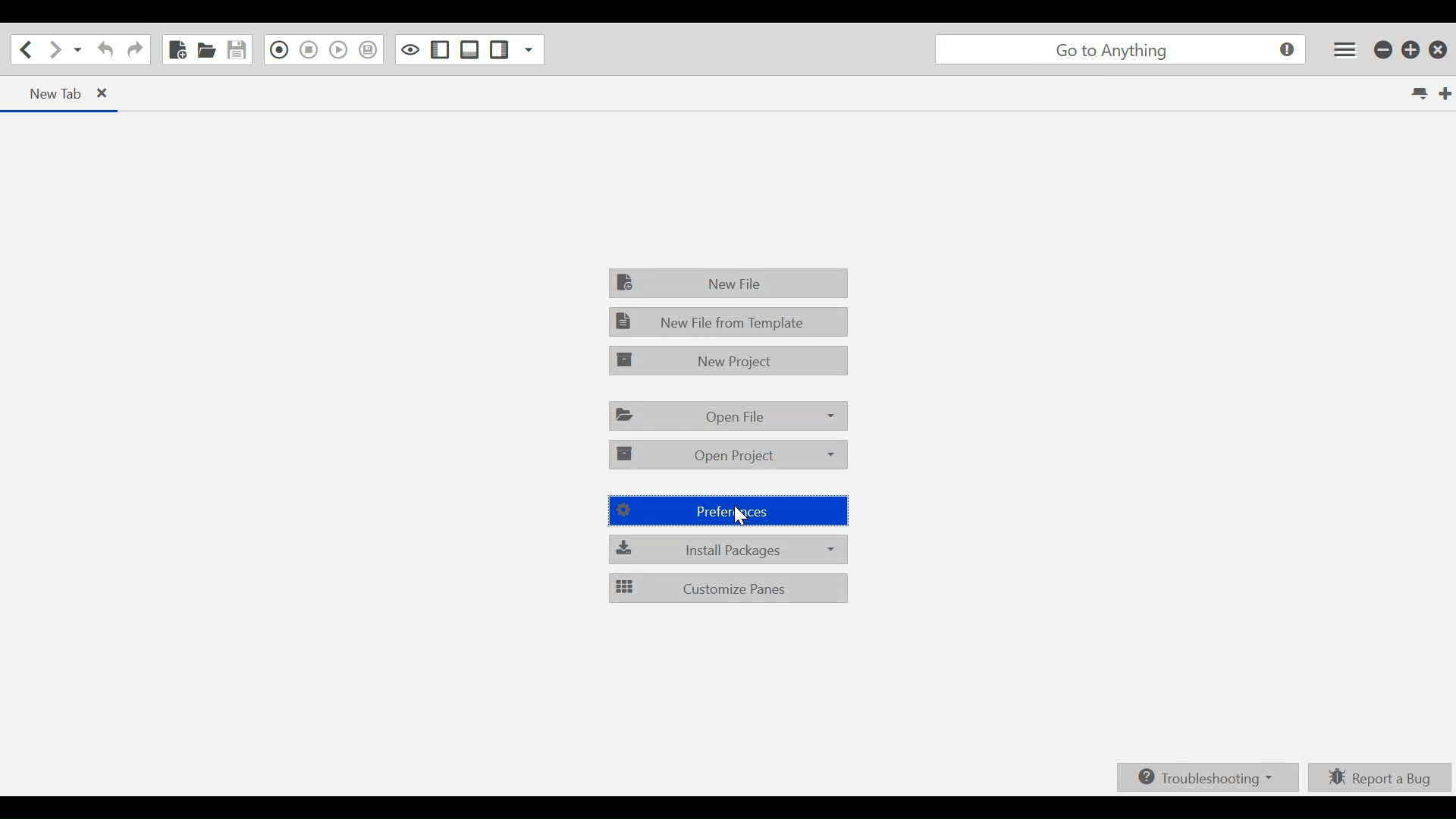  What do you see at coordinates (727, 549) in the screenshot?
I see `Install packages` at bounding box center [727, 549].